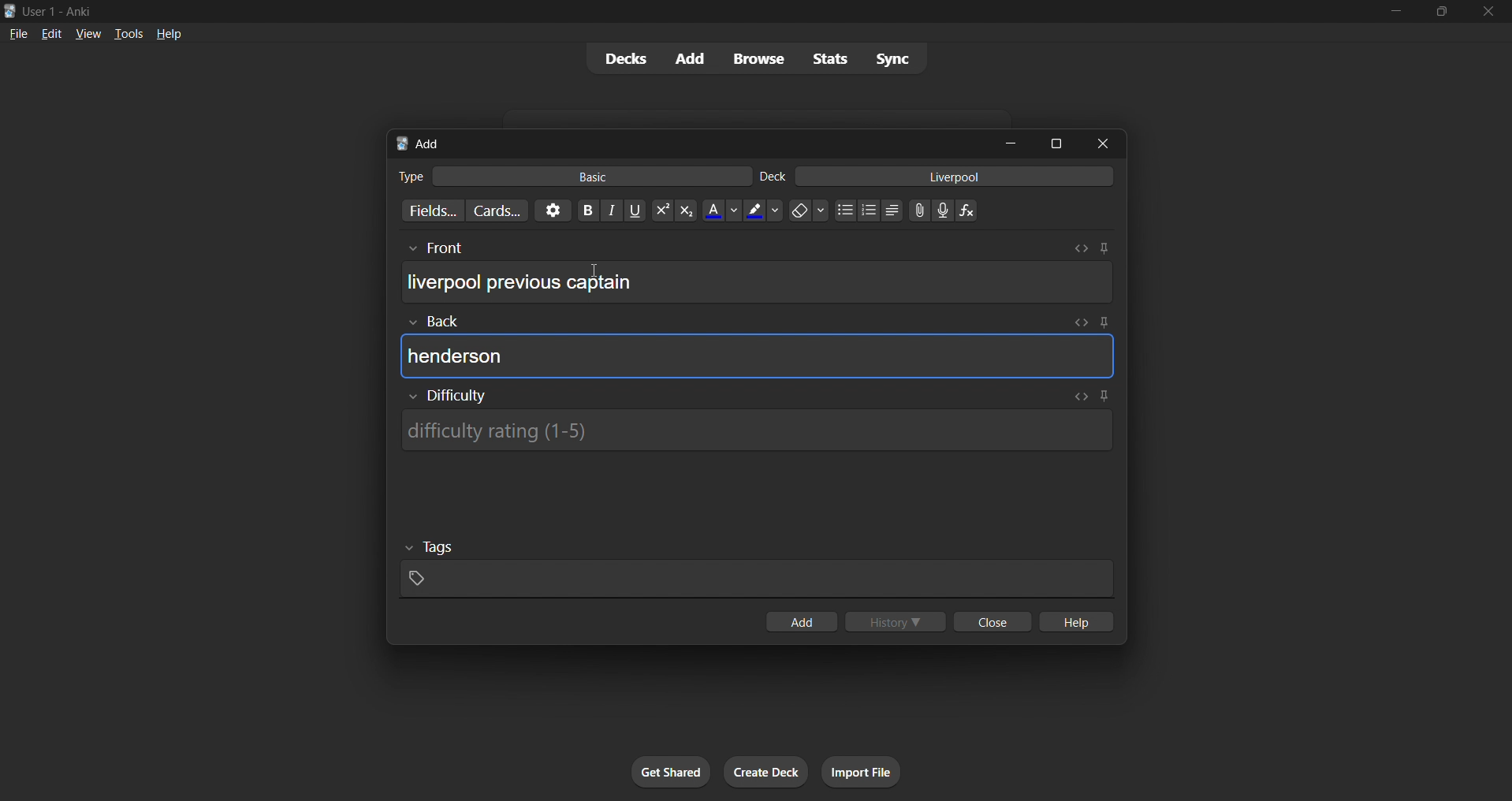 Image resolution: width=1512 pixels, height=801 pixels. What do you see at coordinates (1393, 13) in the screenshot?
I see `minimize` at bounding box center [1393, 13].